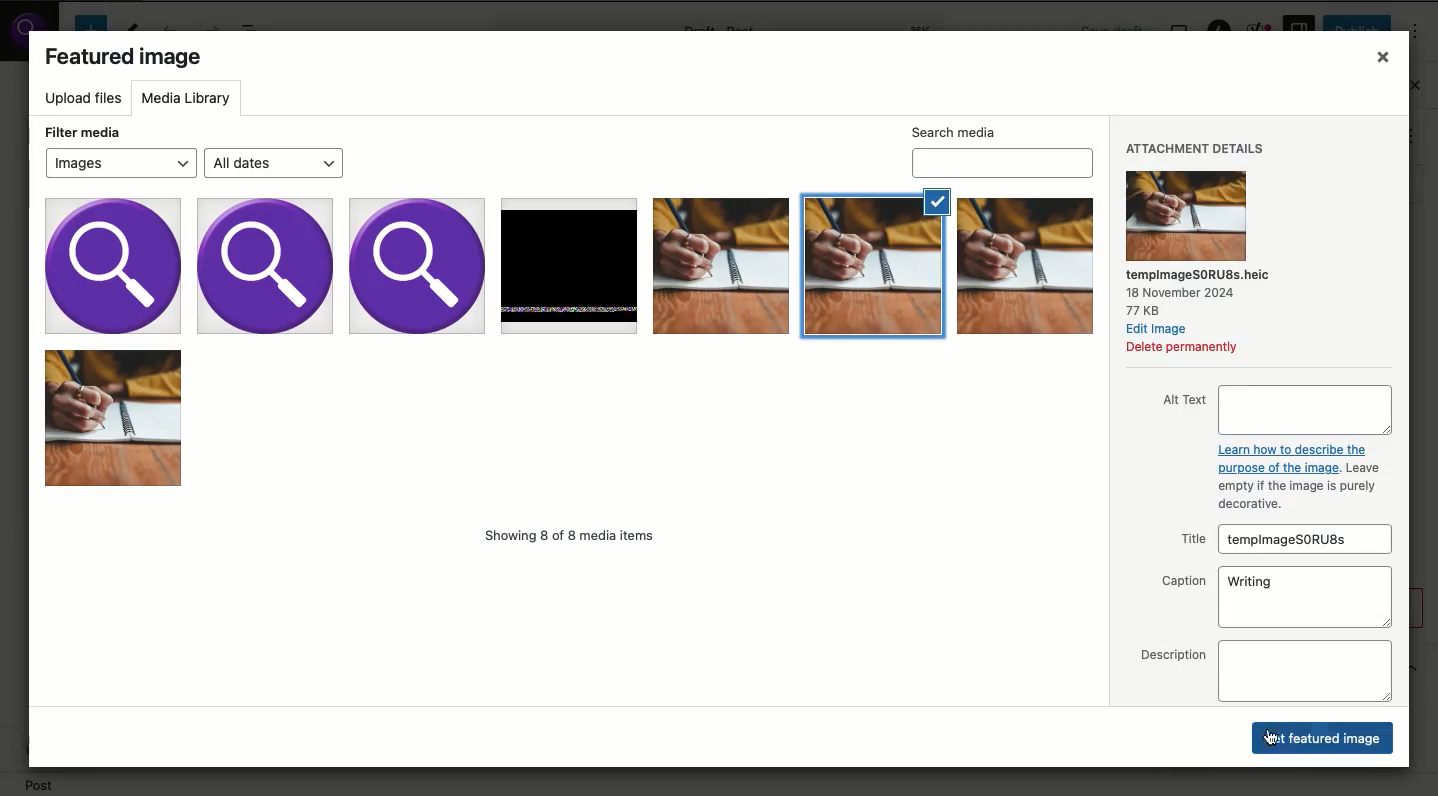  What do you see at coordinates (1185, 399) in the screenshot?
I see `text` at bounding box center [1185, 399].